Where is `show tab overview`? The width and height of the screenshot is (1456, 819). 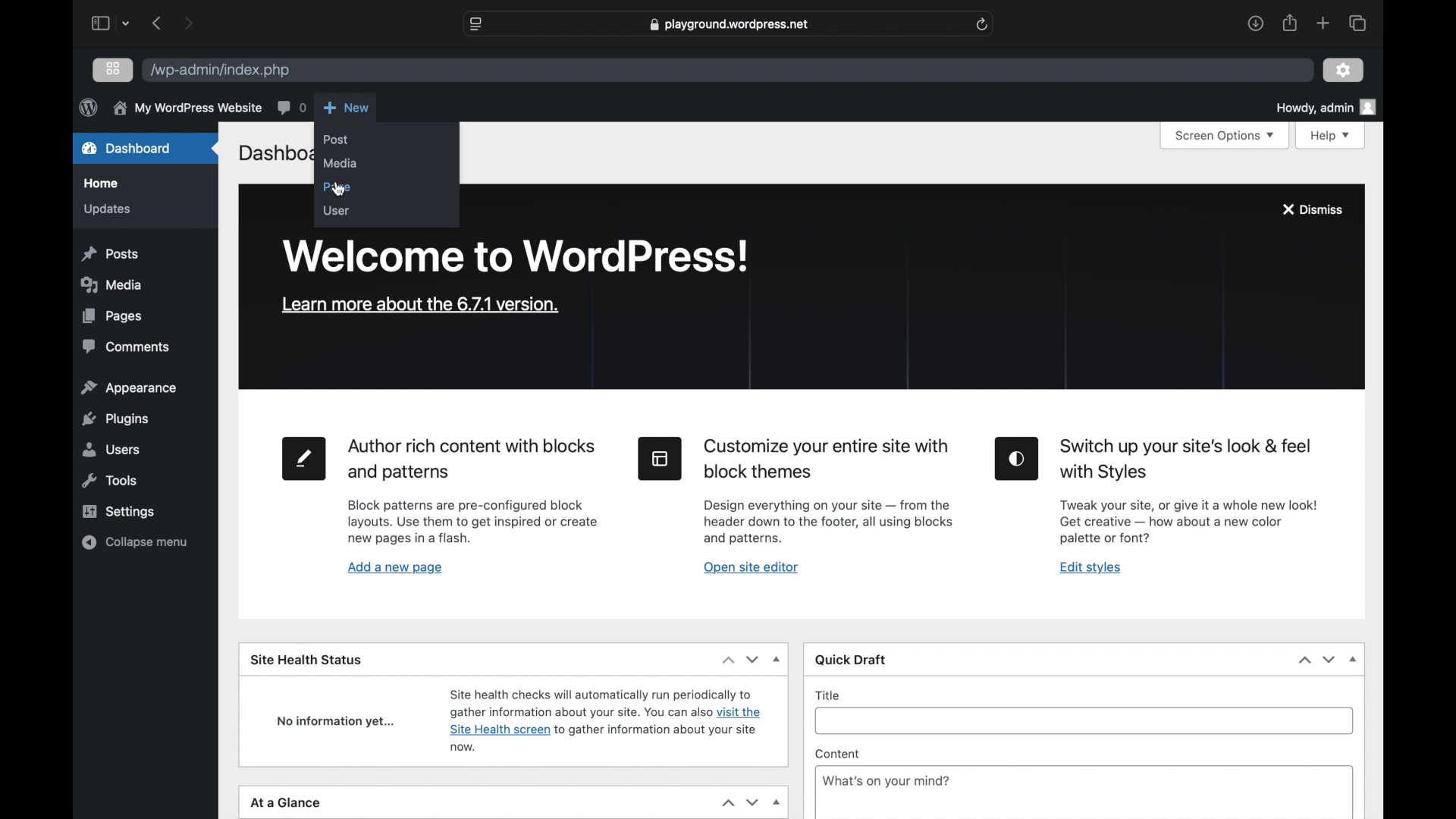
show tab overview is located at coordinates (1357, 23).